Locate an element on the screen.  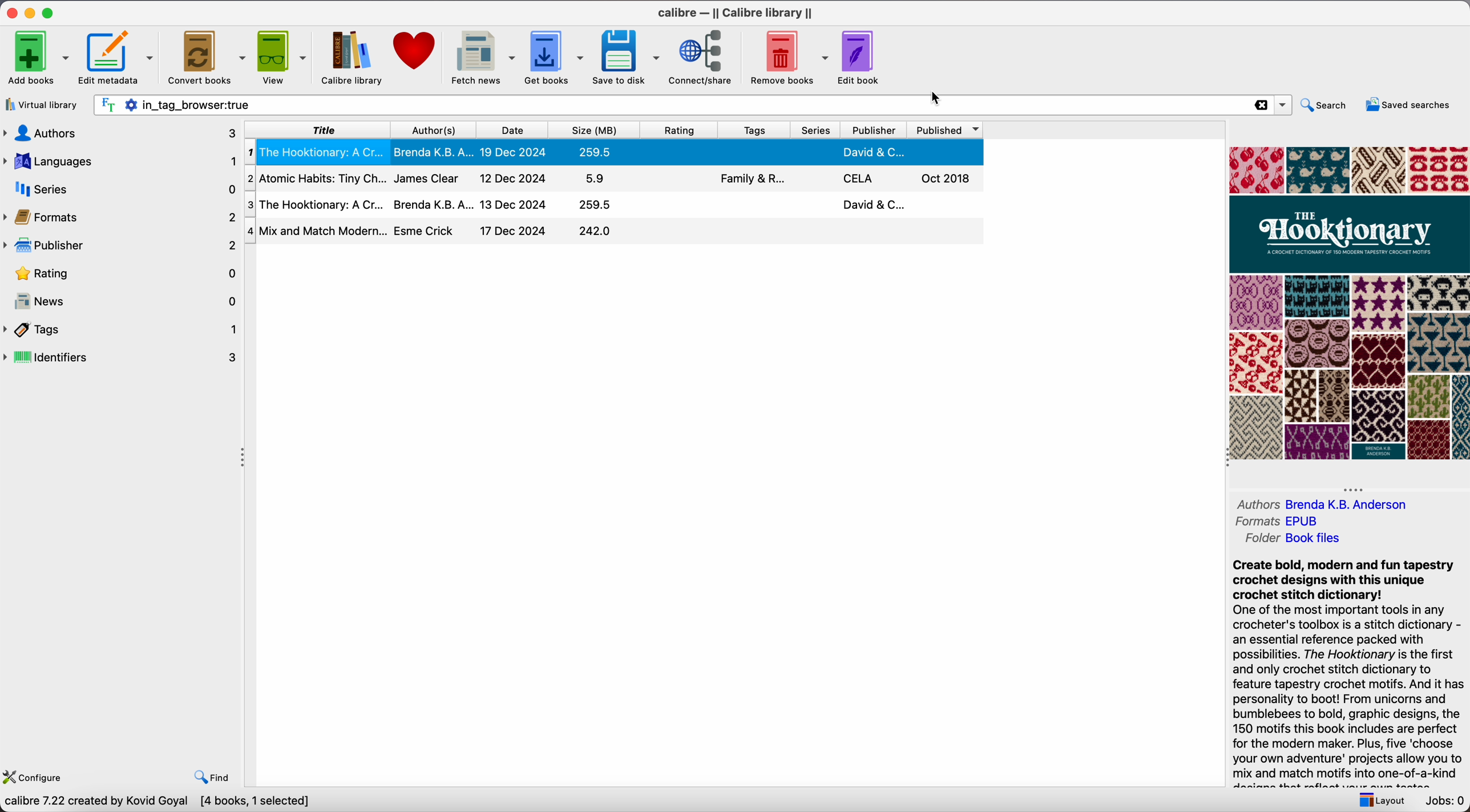
tags is located at coordinates (123, 331).